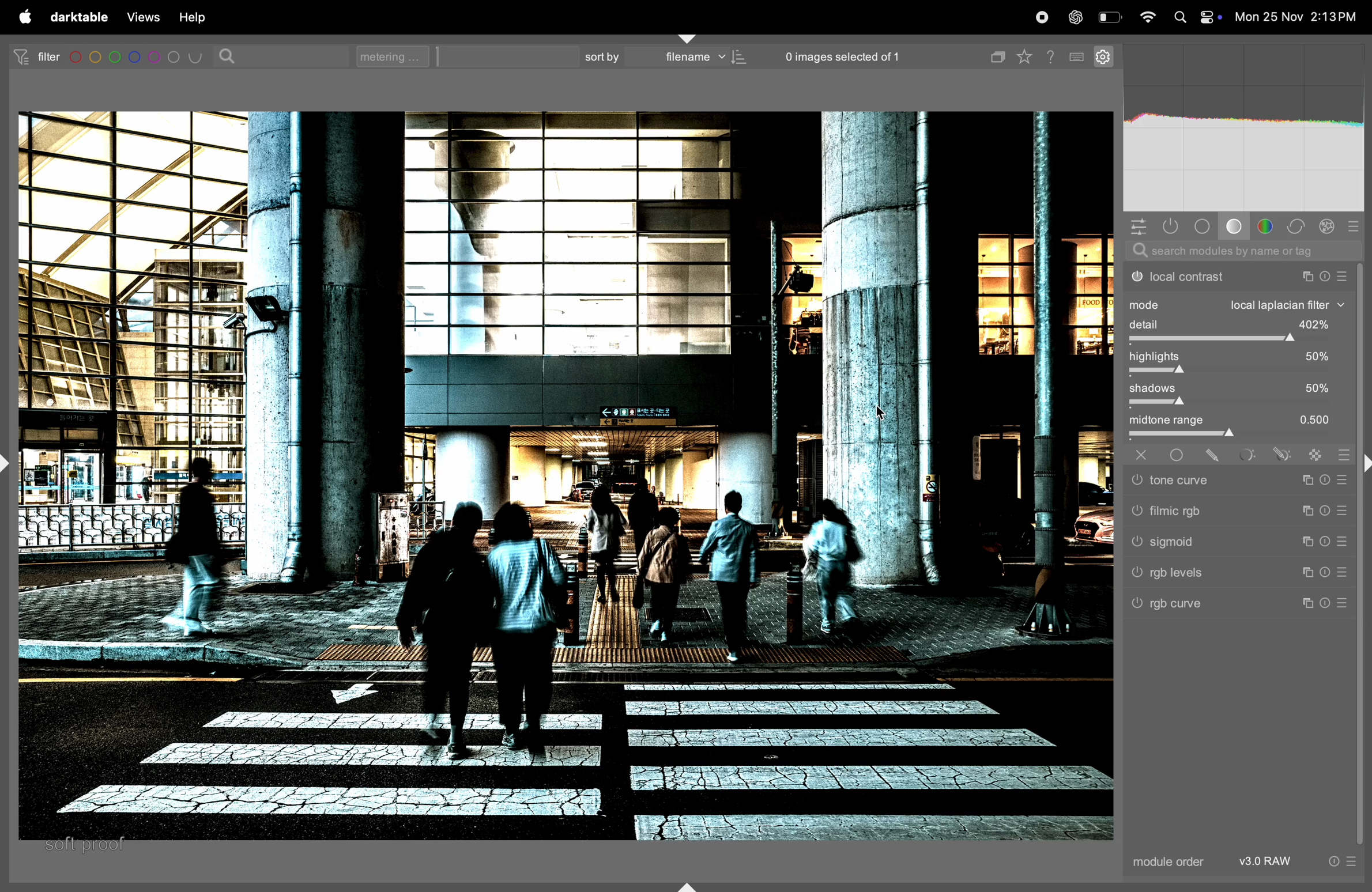  I want to click on spotlight search, so click(1179, 18).